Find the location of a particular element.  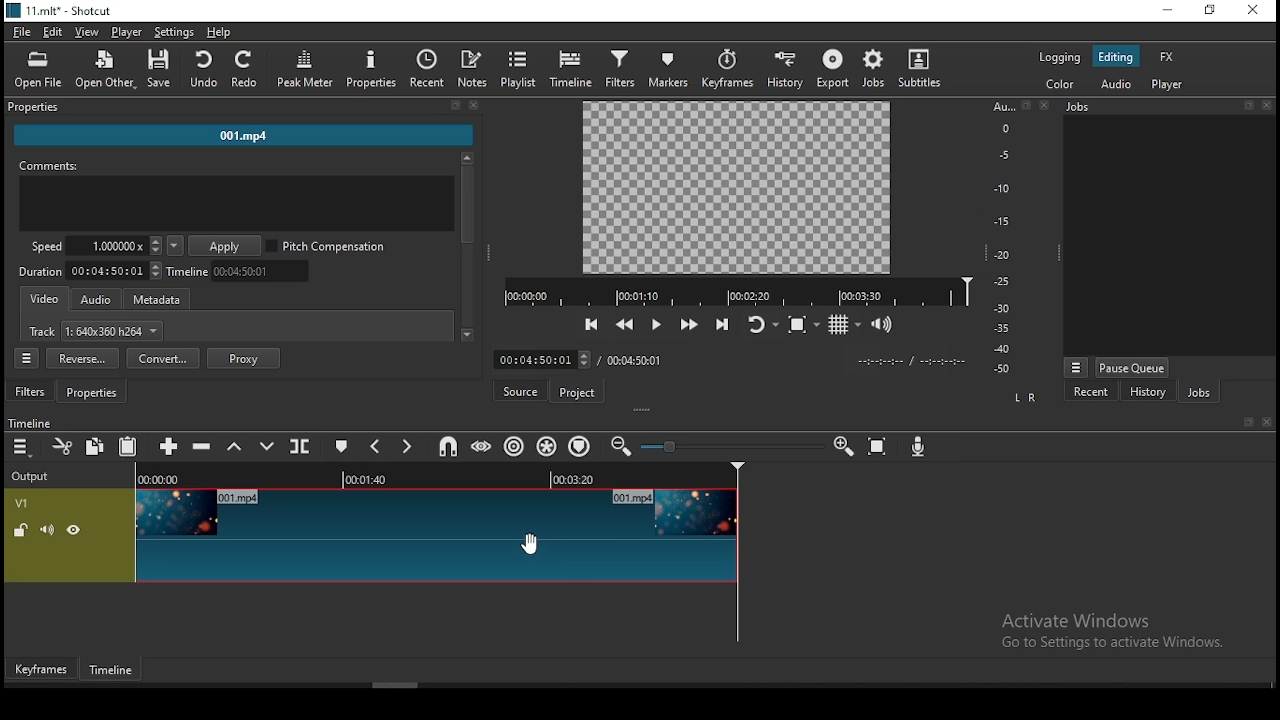

subtitles is located at coordinates (923, 67).